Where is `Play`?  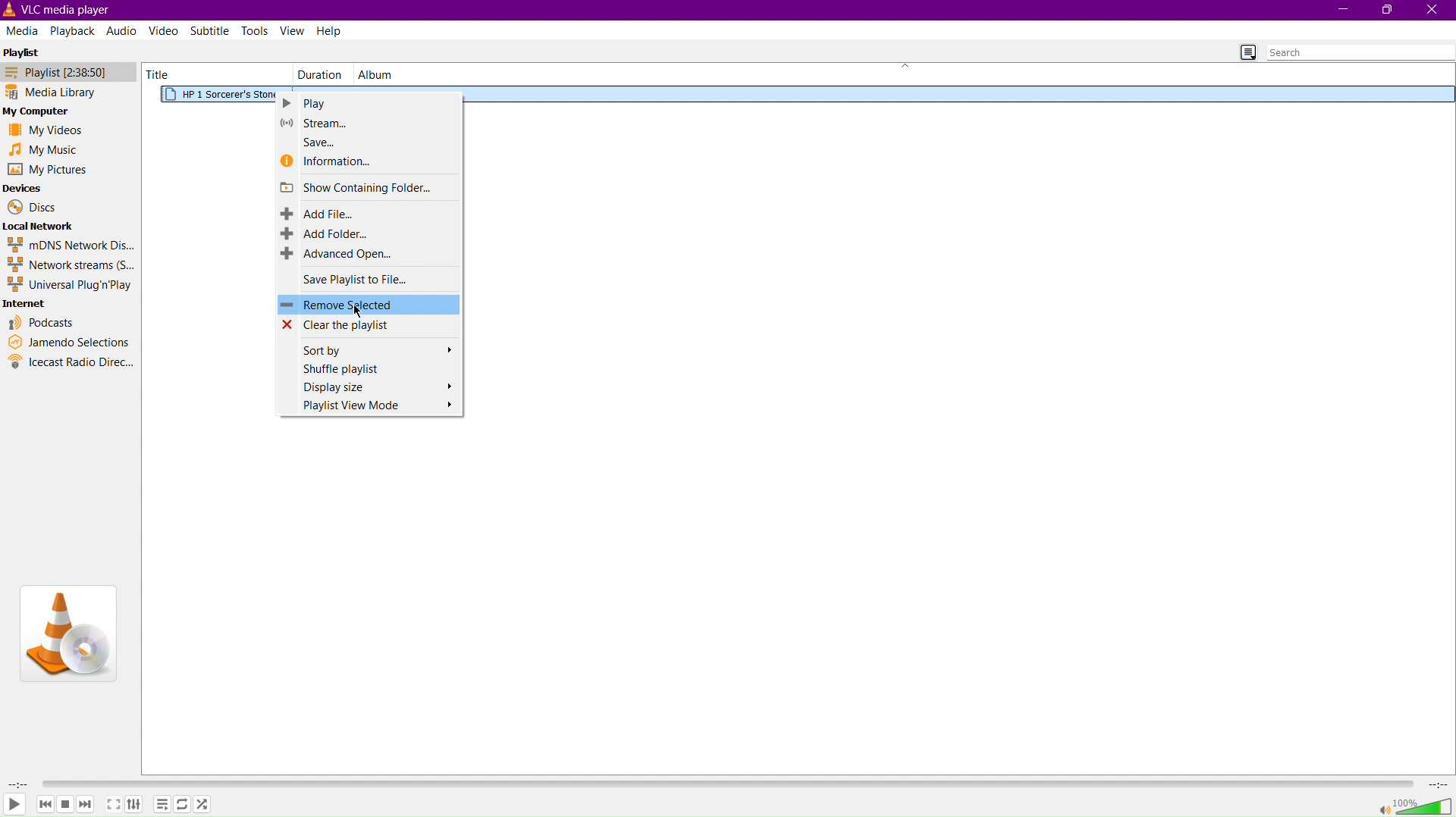
Play is located at coordinates (15, 805).